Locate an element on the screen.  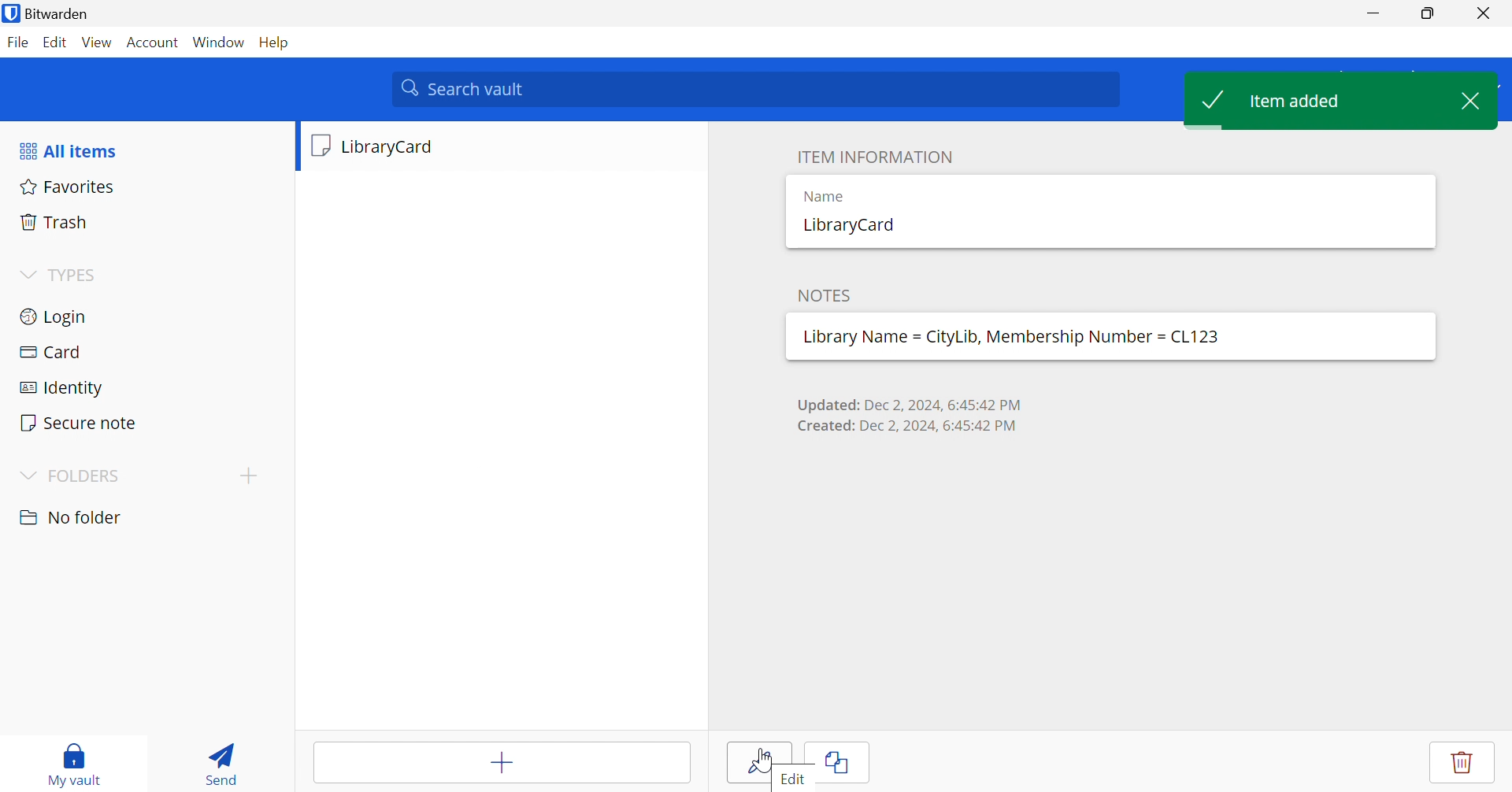
save is located at coordinates (760, 761).